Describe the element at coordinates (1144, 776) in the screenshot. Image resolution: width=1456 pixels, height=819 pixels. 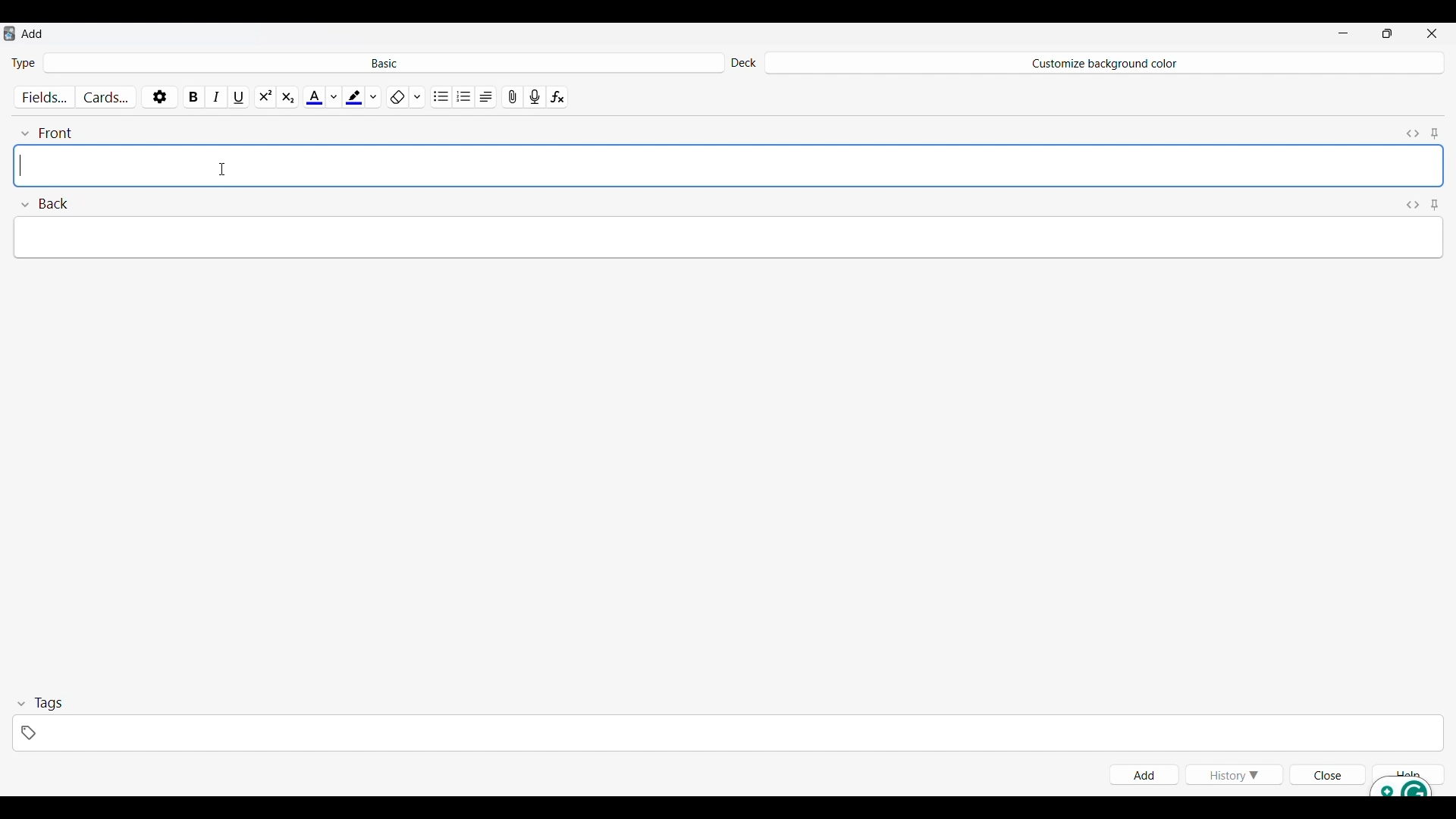
I see `` at that location.